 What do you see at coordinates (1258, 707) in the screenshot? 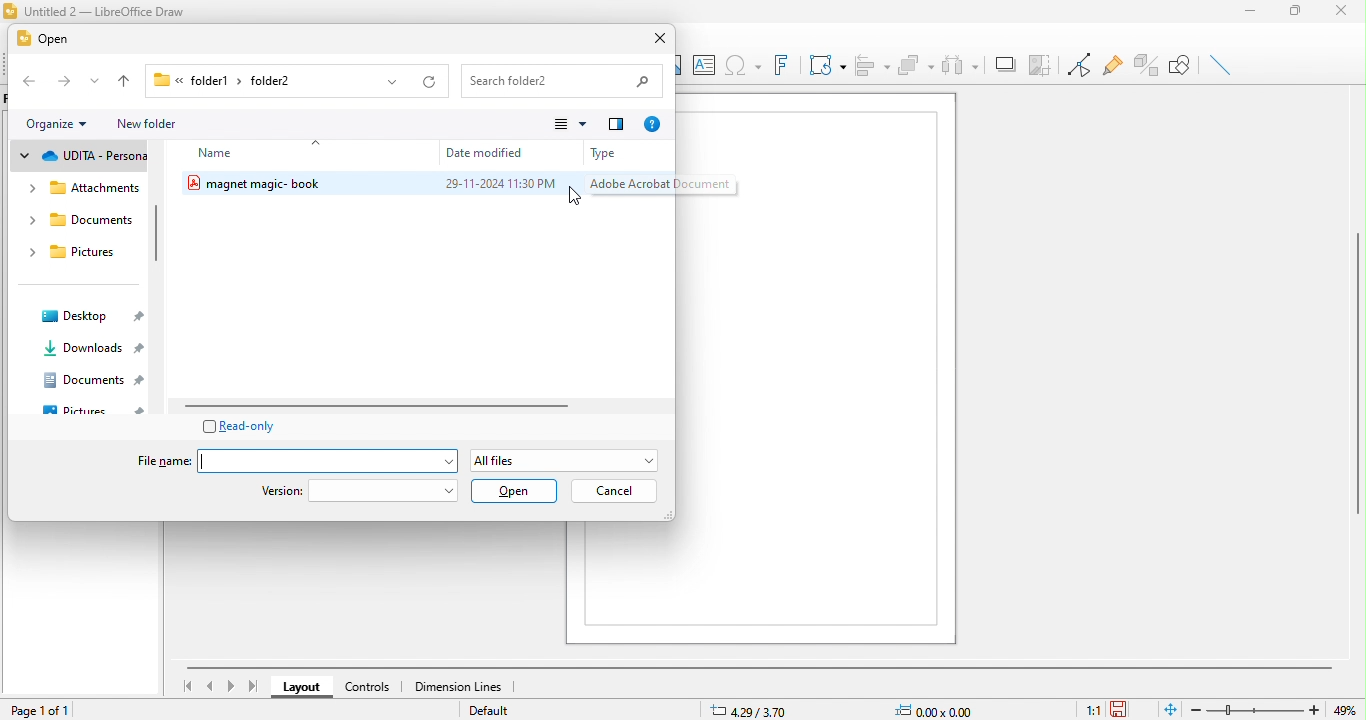
I see `zoom` at bounding box center [1258, 707].